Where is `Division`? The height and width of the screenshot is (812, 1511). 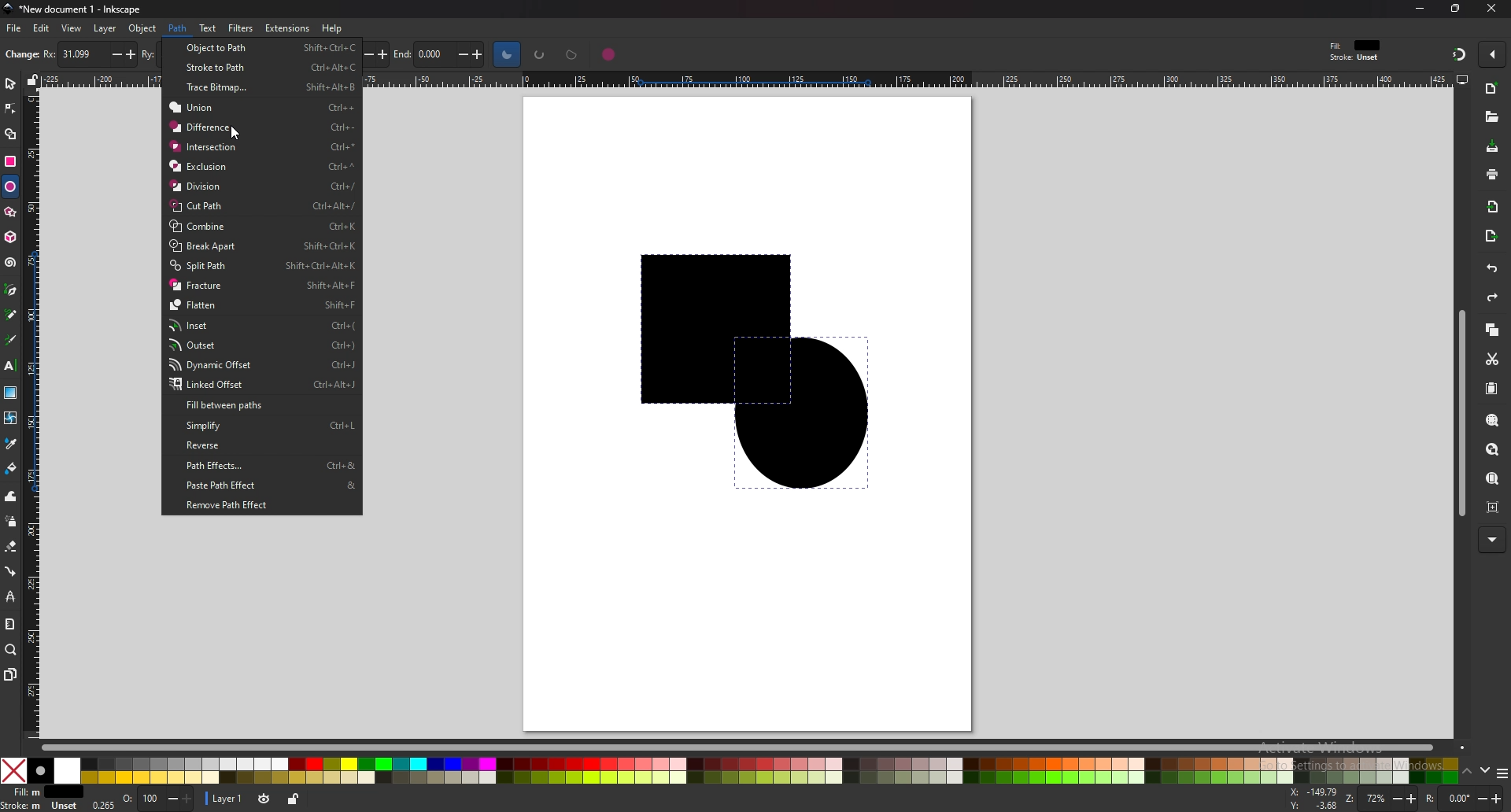
Division is located at coordinates (263, 186).